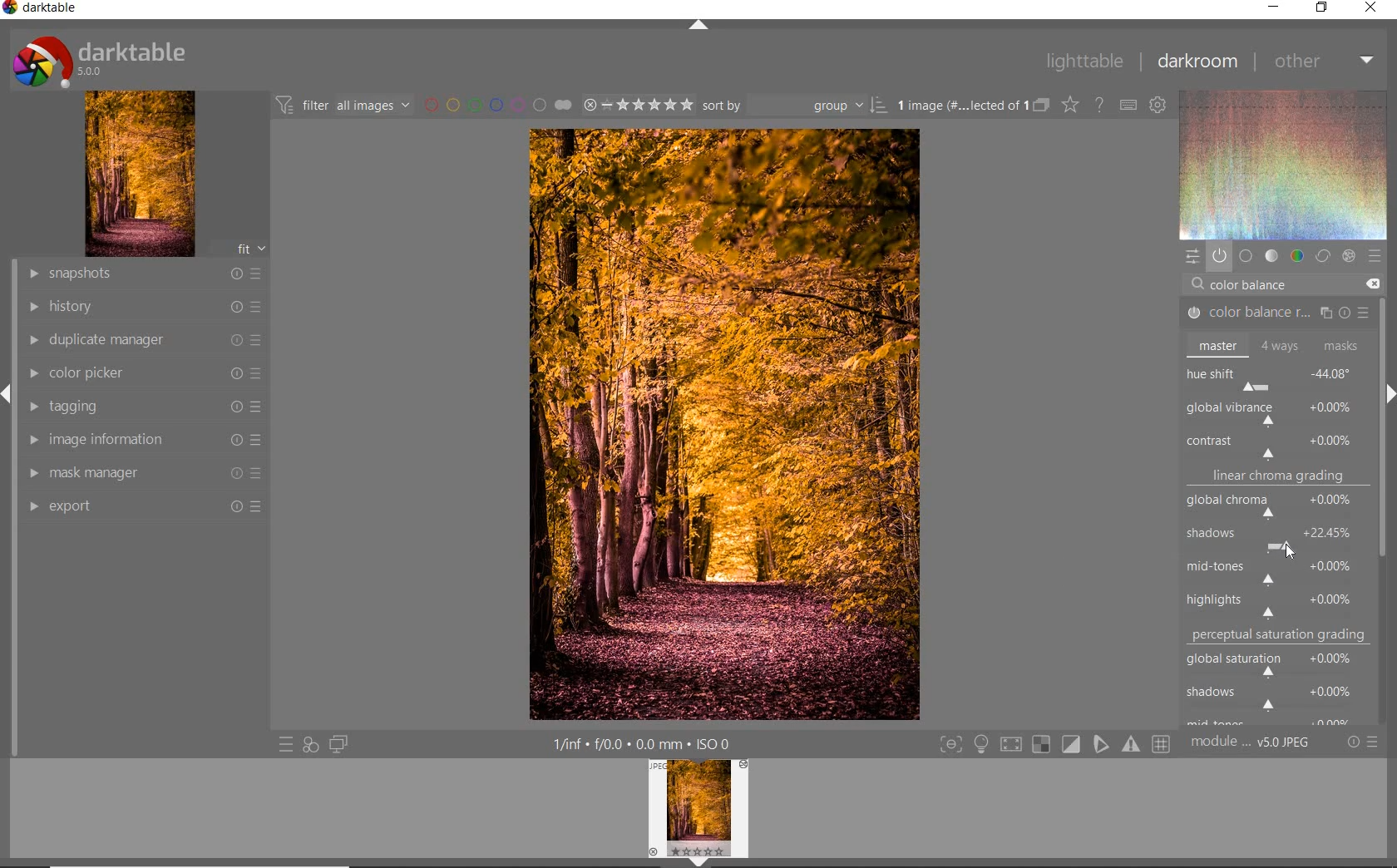 This screenshot has width=1397, height=868. Describe the element at coordinates (794, 106) in the screenshot. I see `sort` at that location.